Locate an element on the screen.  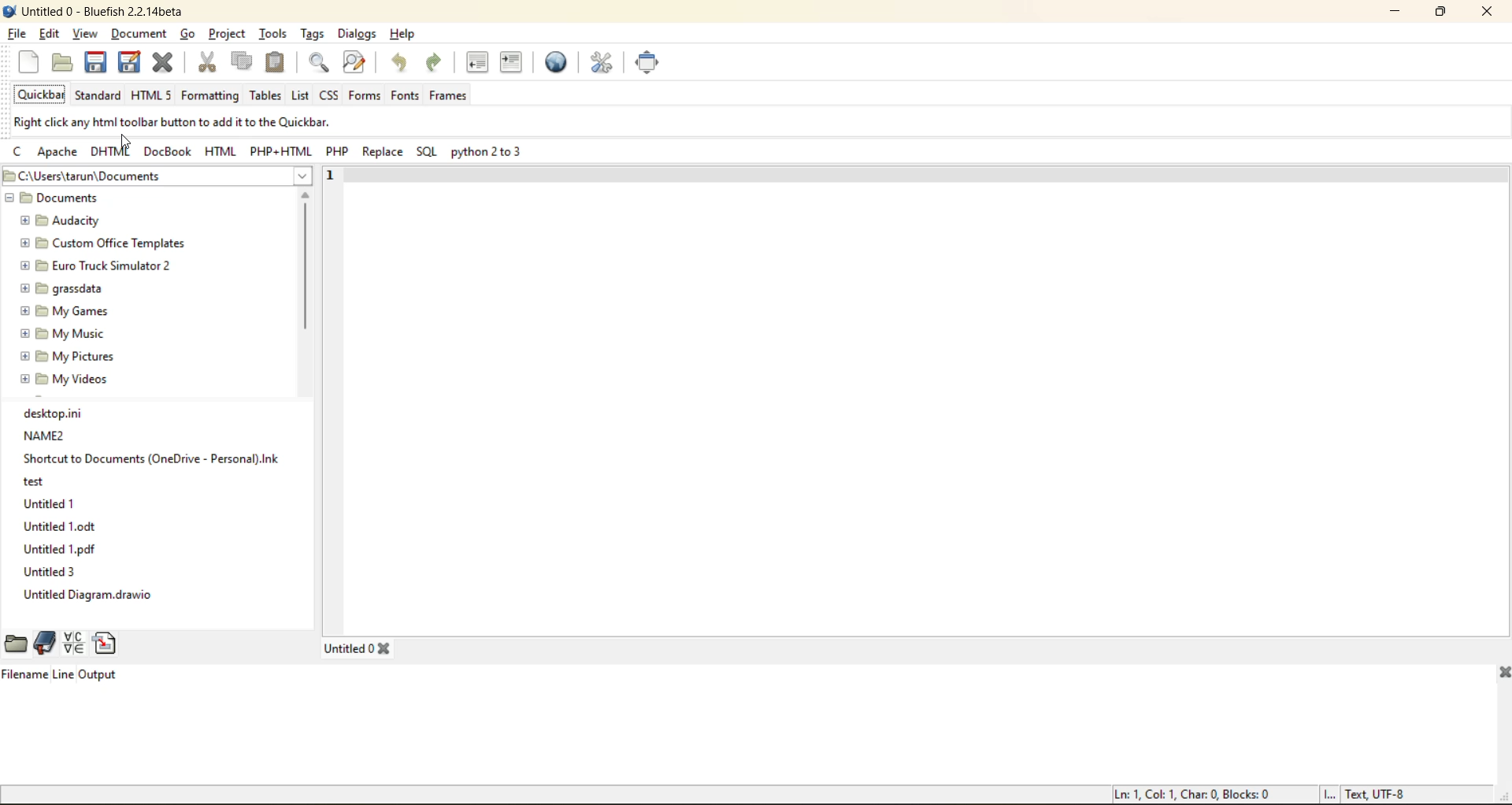
tools is located at coordinates (272, 35).